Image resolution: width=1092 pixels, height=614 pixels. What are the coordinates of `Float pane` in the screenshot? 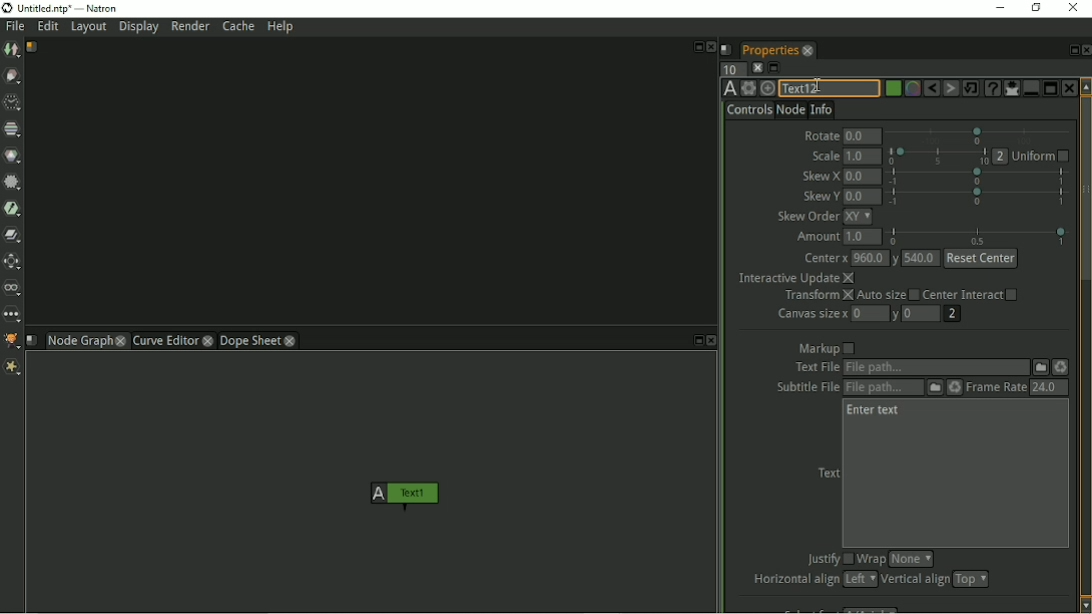 It's located at (695, 341).